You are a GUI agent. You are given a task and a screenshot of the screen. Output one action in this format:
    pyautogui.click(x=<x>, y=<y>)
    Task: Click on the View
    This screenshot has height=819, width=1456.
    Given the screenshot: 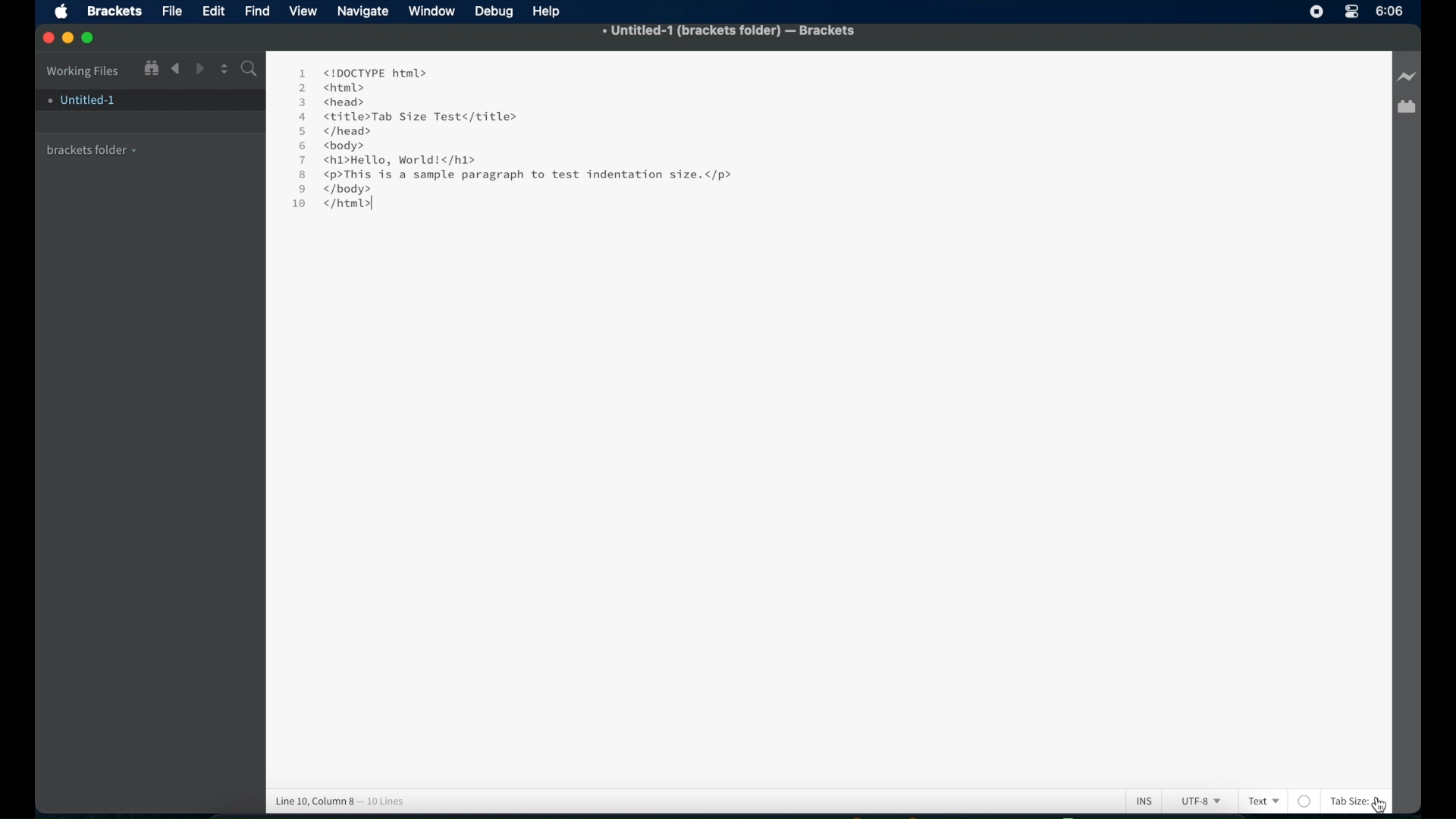 What is the action you would take?
    pyautogui.click(x=306, y=11)
    